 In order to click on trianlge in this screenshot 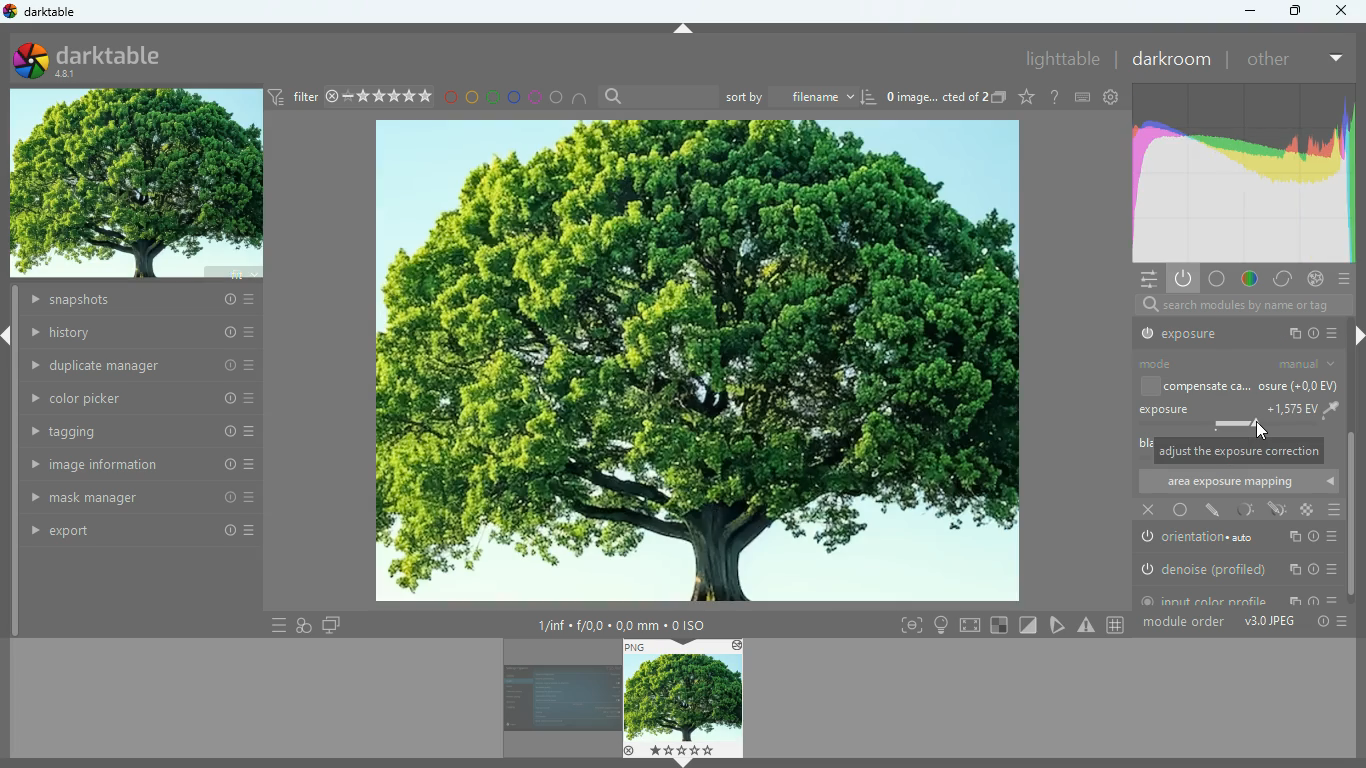, I will do `click(1055, 624)`.